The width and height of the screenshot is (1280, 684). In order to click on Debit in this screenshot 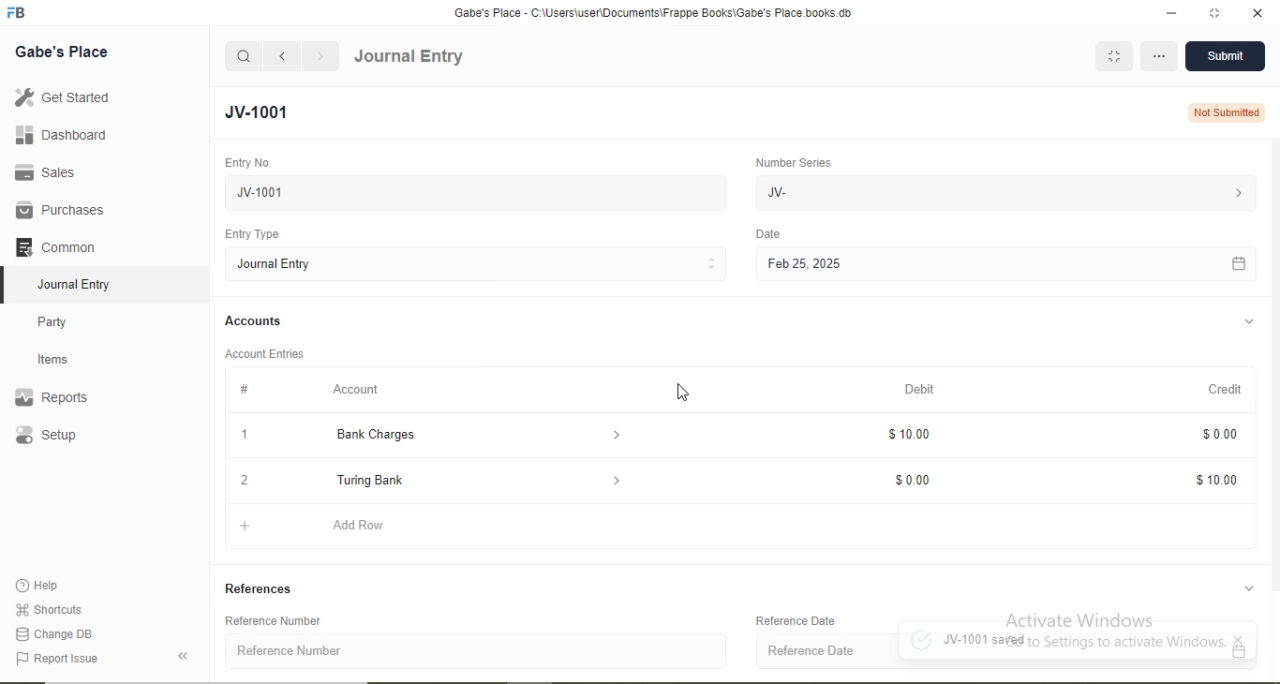, I will do `click(922, 390)`.